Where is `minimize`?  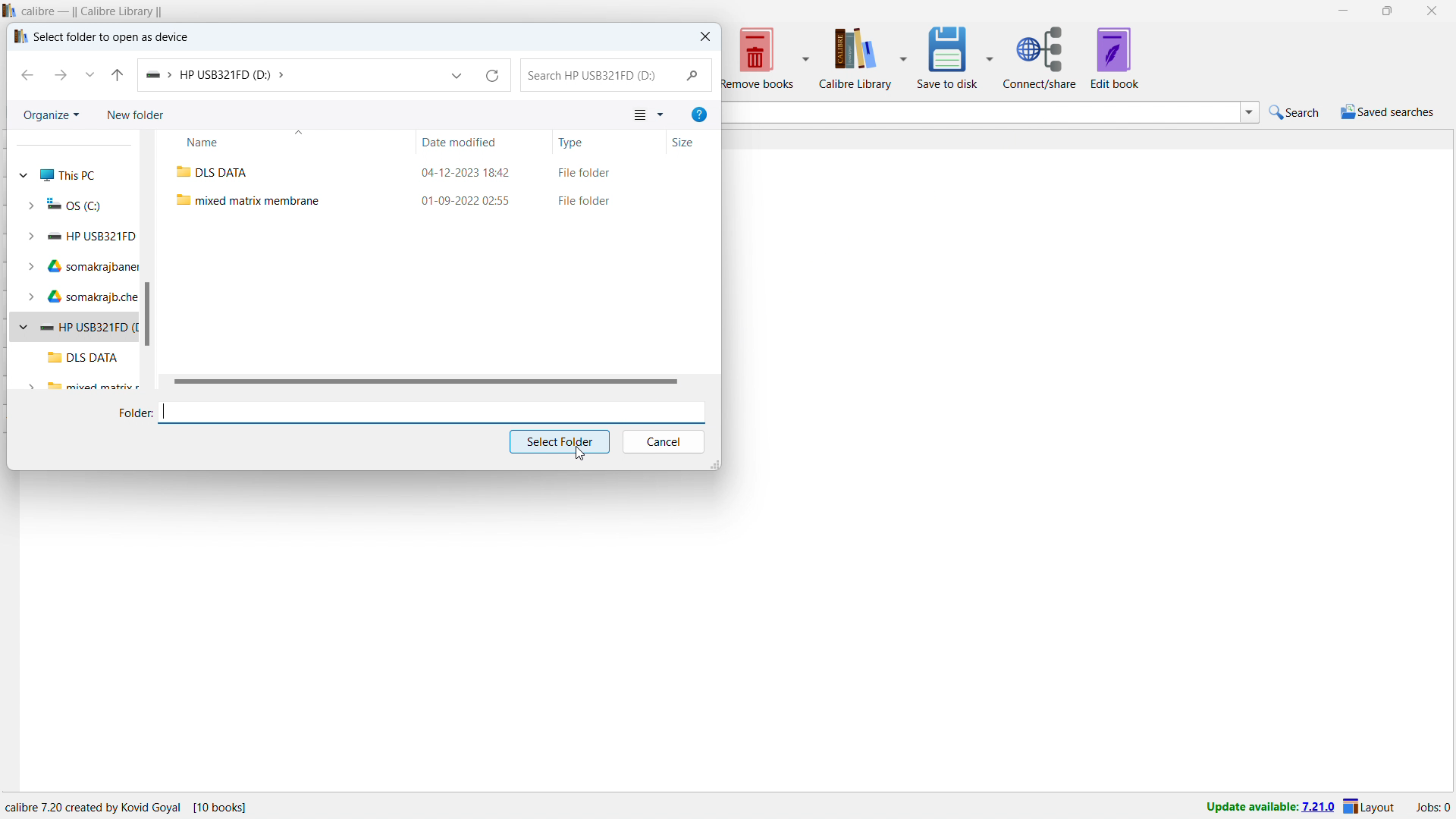
minimize is located at coordinates (1342, 11).